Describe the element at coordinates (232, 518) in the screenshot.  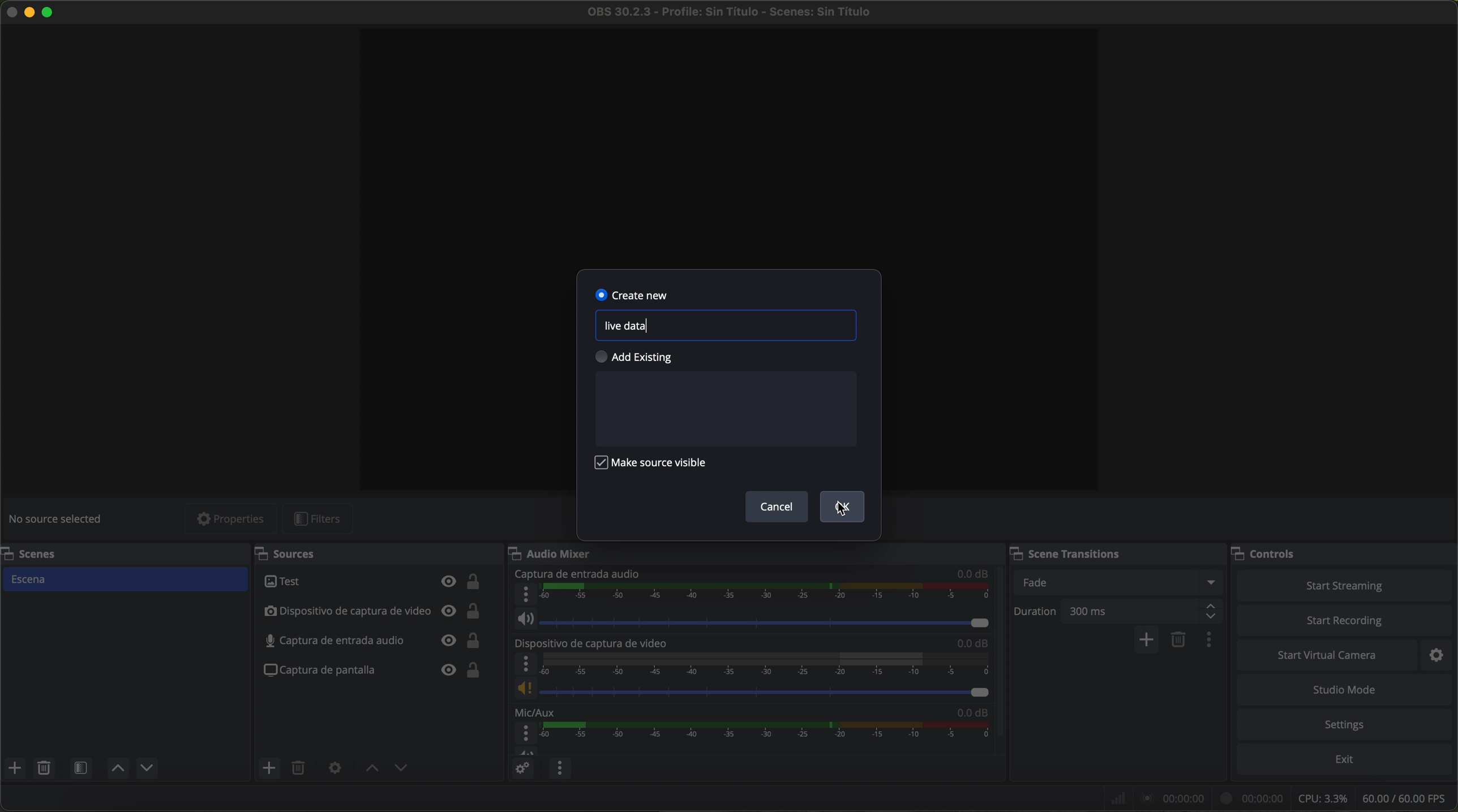
I see `properties` at that location.